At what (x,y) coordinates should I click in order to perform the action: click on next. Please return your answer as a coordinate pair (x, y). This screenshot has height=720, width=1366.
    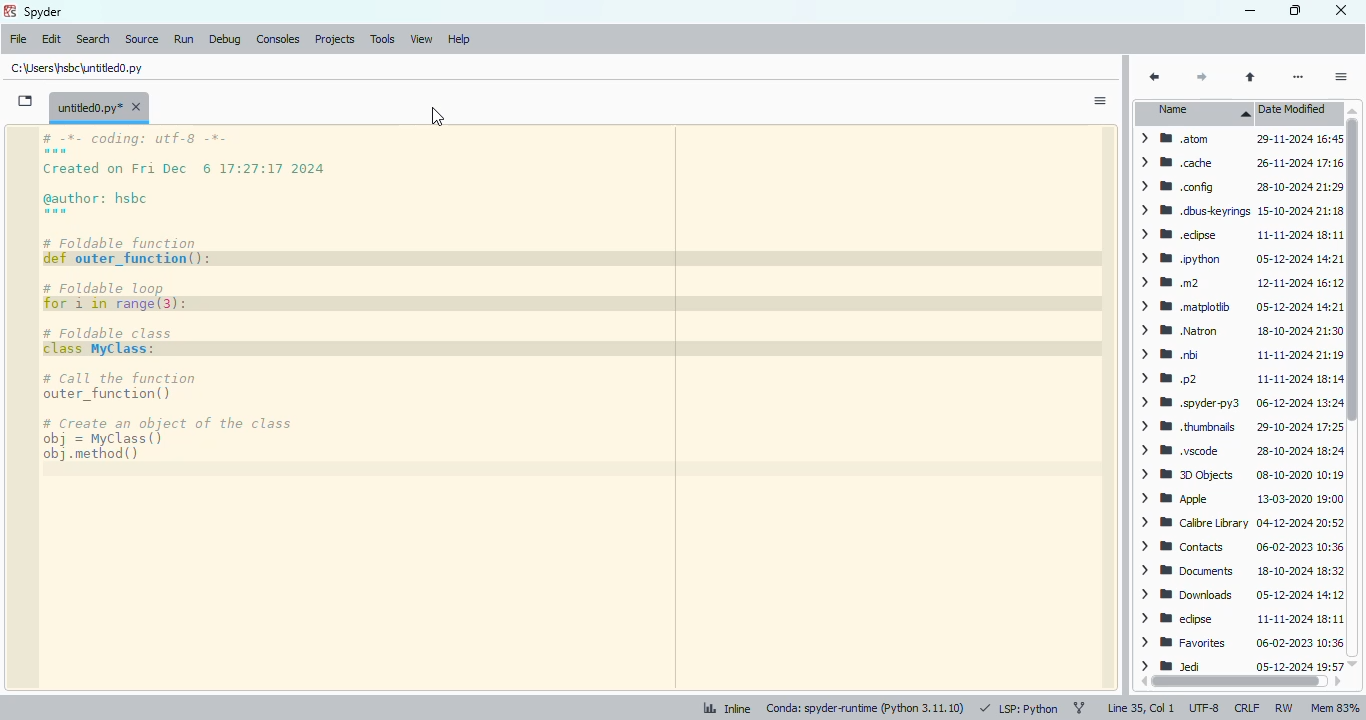
    Looking at the image, I should click on (1203, 78).